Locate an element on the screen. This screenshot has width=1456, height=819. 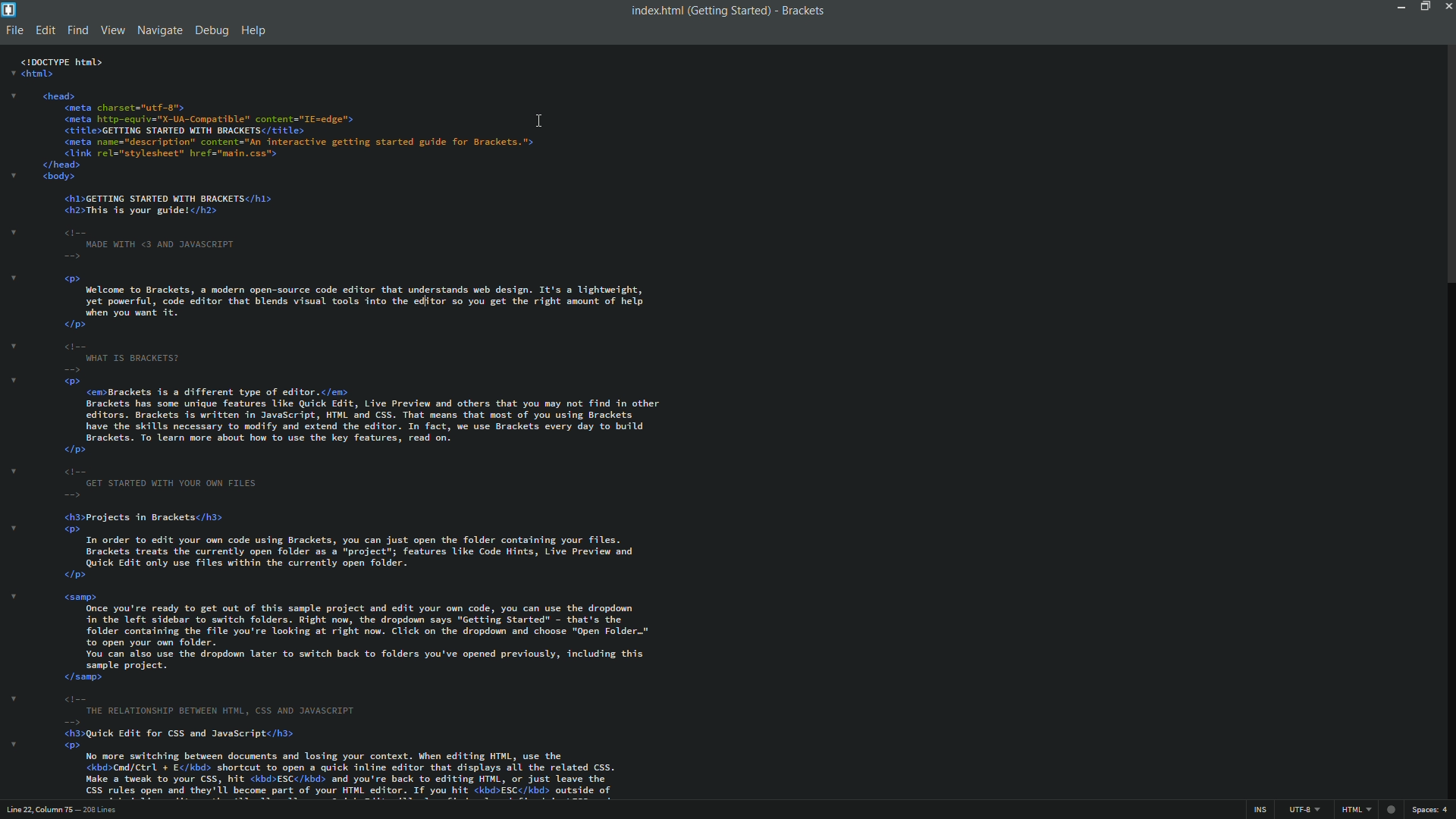
icon is located at coordinates (1392, 810).